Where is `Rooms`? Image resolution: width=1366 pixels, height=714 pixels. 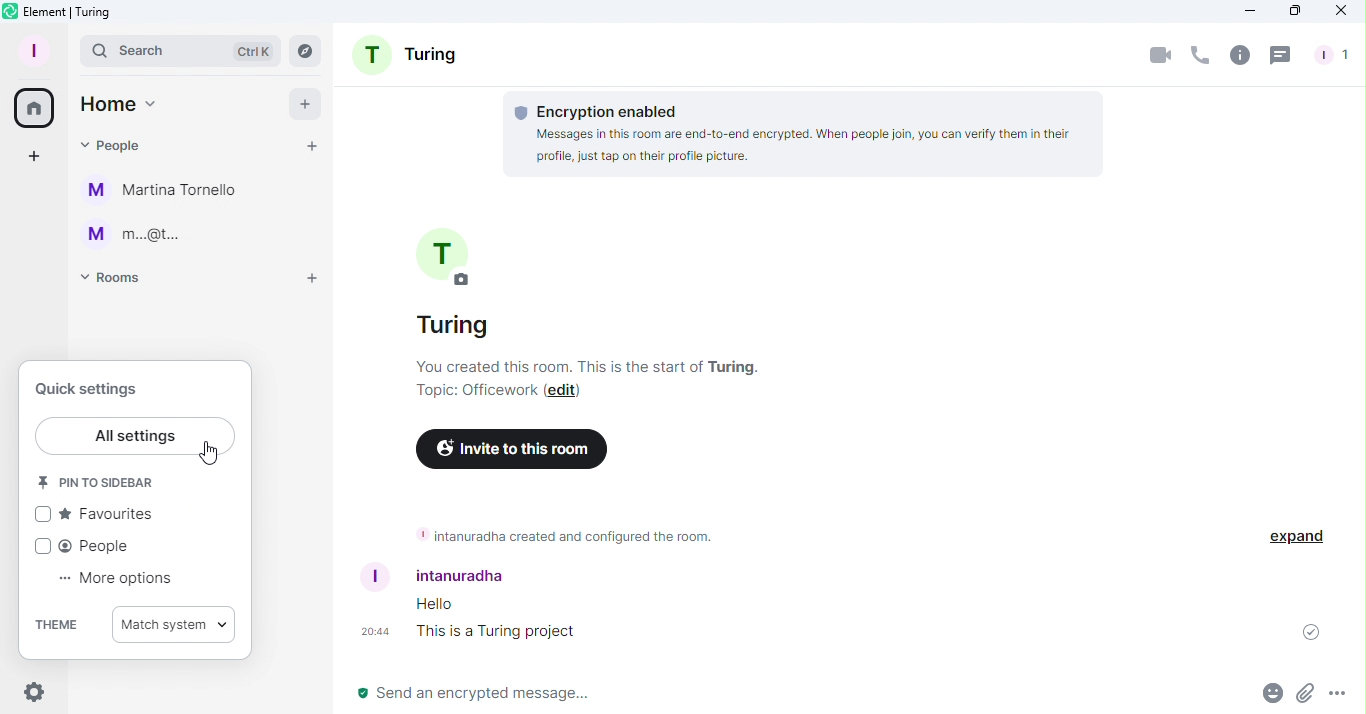 Rooms is located at coordinates (116, 280).